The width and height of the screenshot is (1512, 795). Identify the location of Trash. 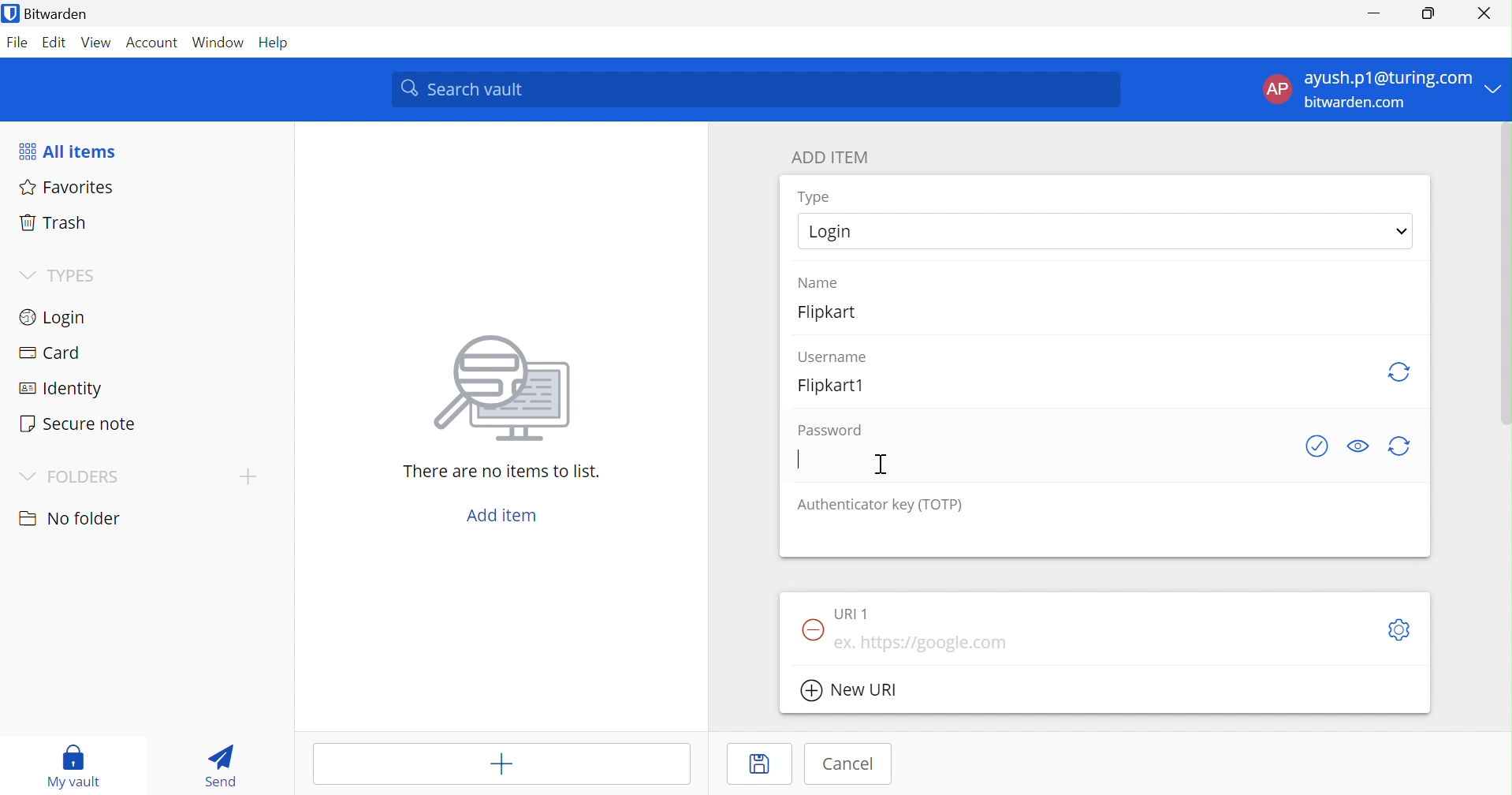
(50, 223).